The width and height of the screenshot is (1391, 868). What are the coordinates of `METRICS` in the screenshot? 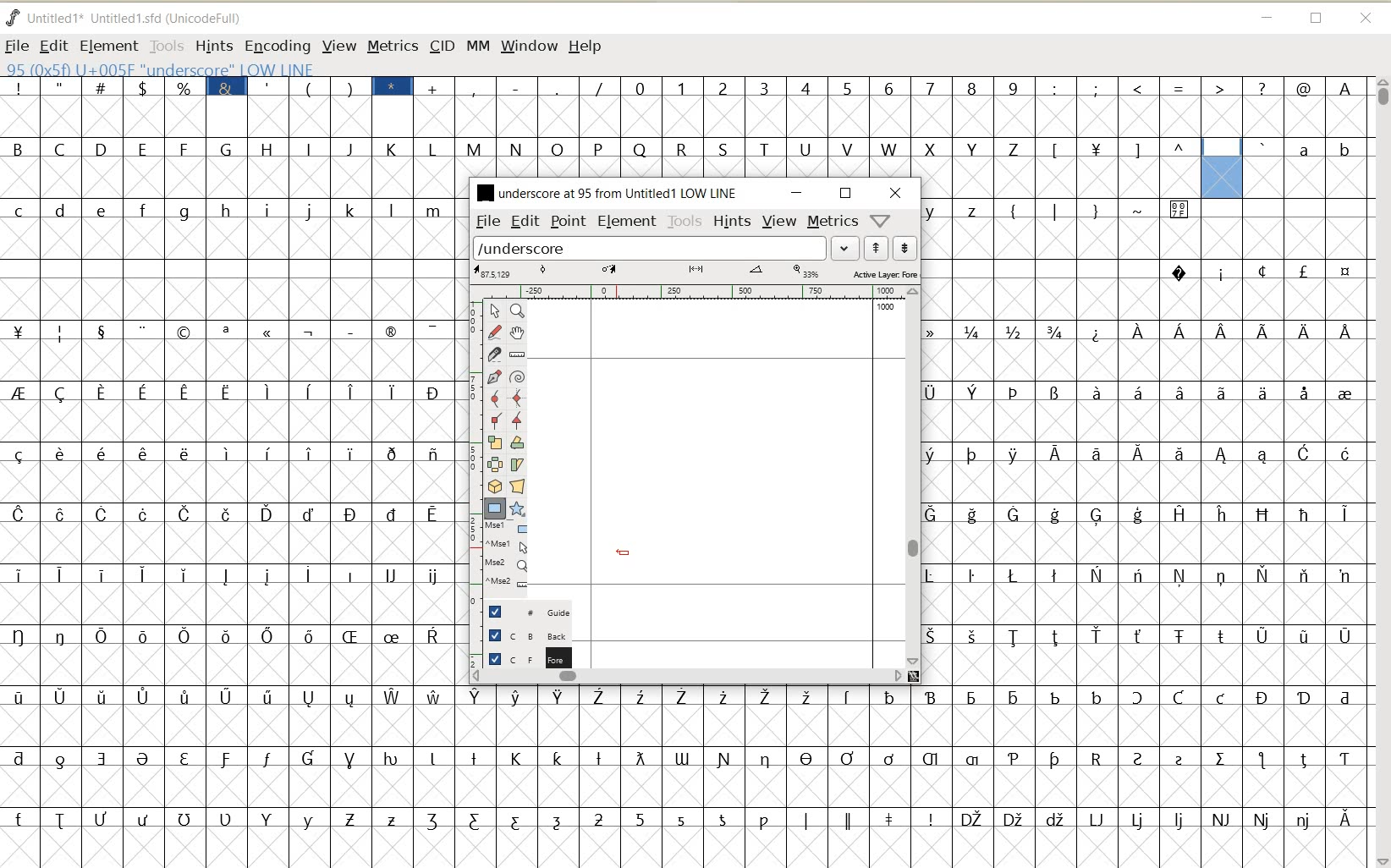 It's located at (392, 46).